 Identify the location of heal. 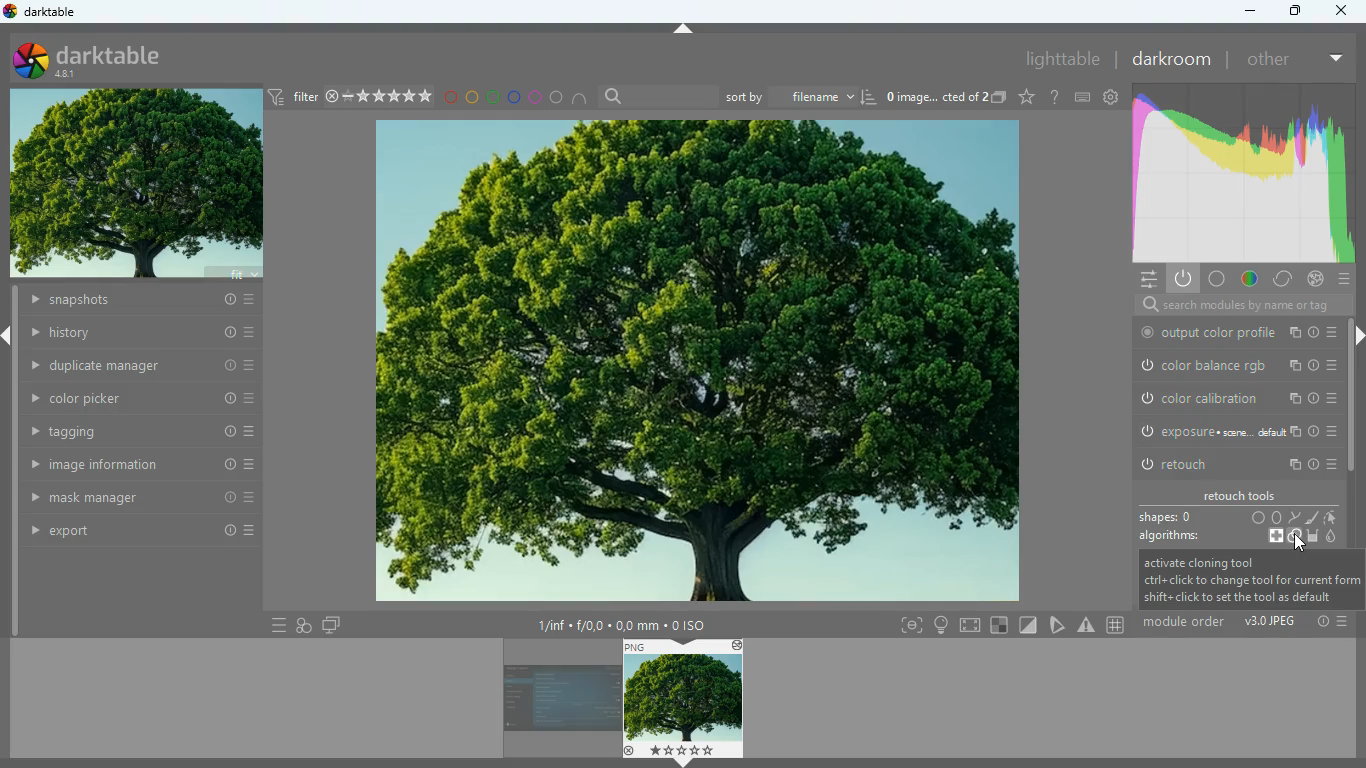
(1269, 536).